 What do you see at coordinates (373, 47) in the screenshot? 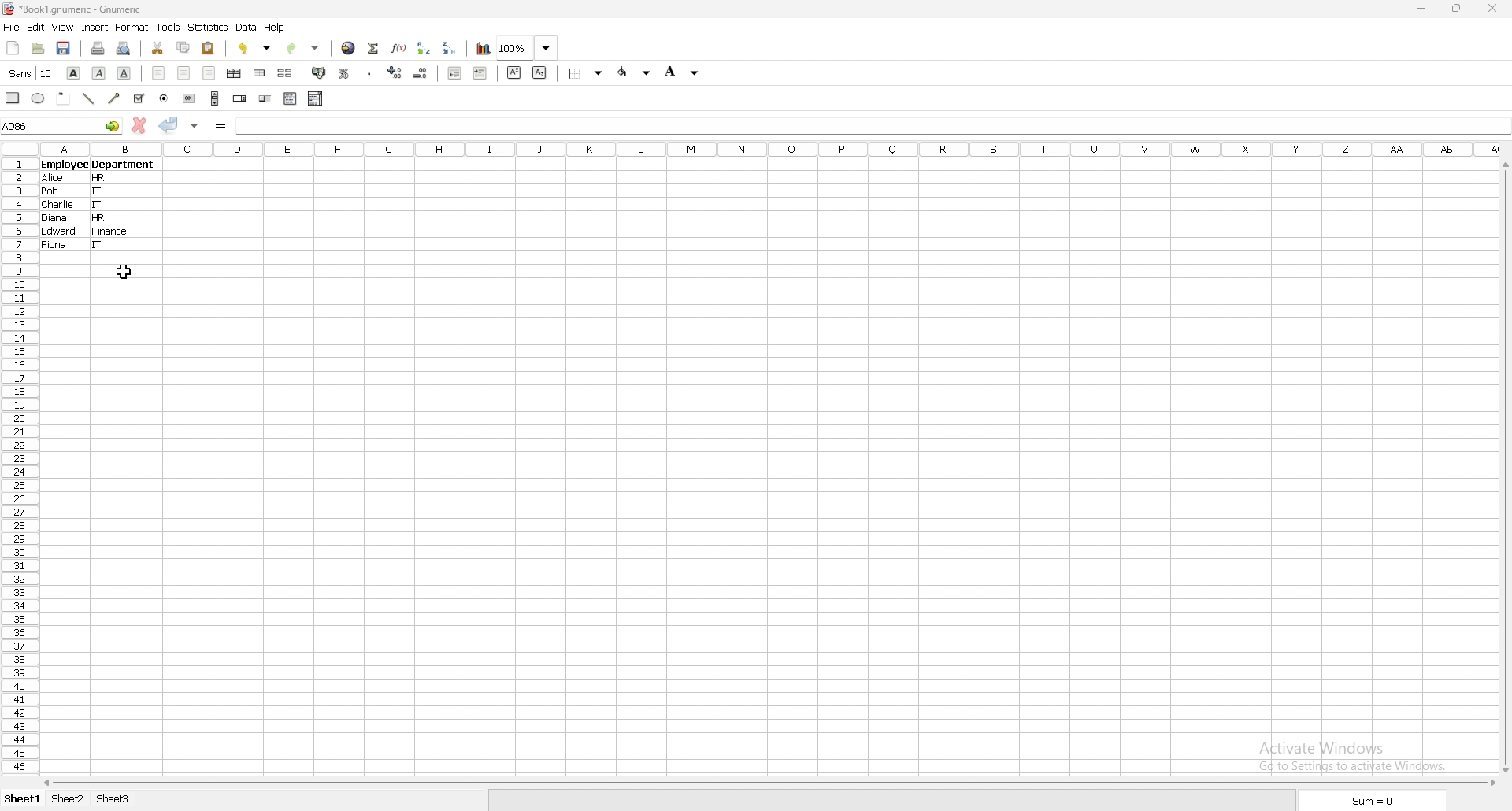
I see `summation` at bounding box center [373, 47].